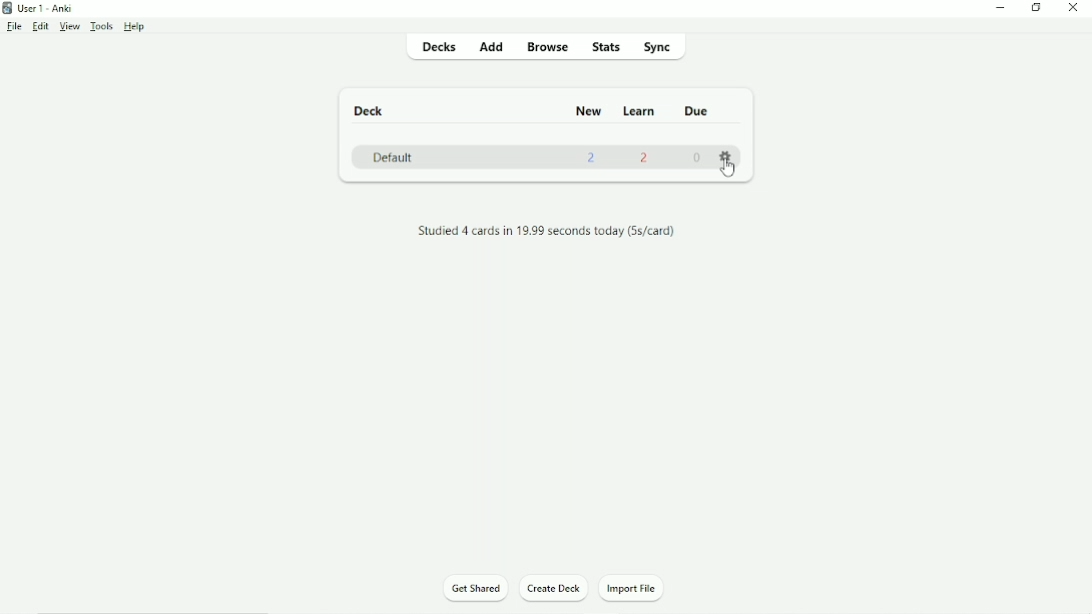 The image size is (1092, 614). I want to click on Close, so click(1078, 8).